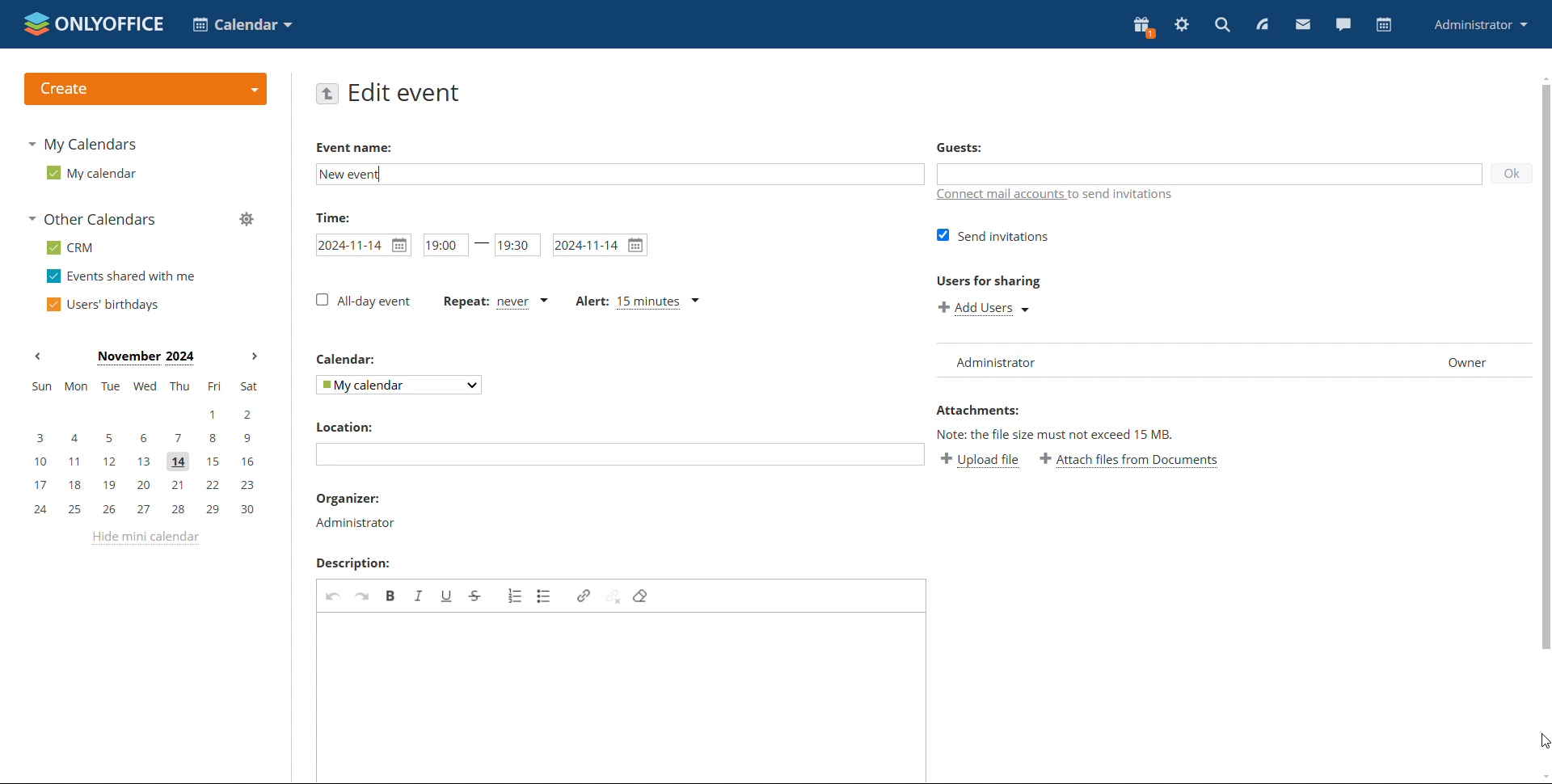 Image resolution: width=1552 pixels, height=784 pixels. What do you see at coordinates (518, 247) in the screenshot?
I see `end time` at bounding box center [518, 247].